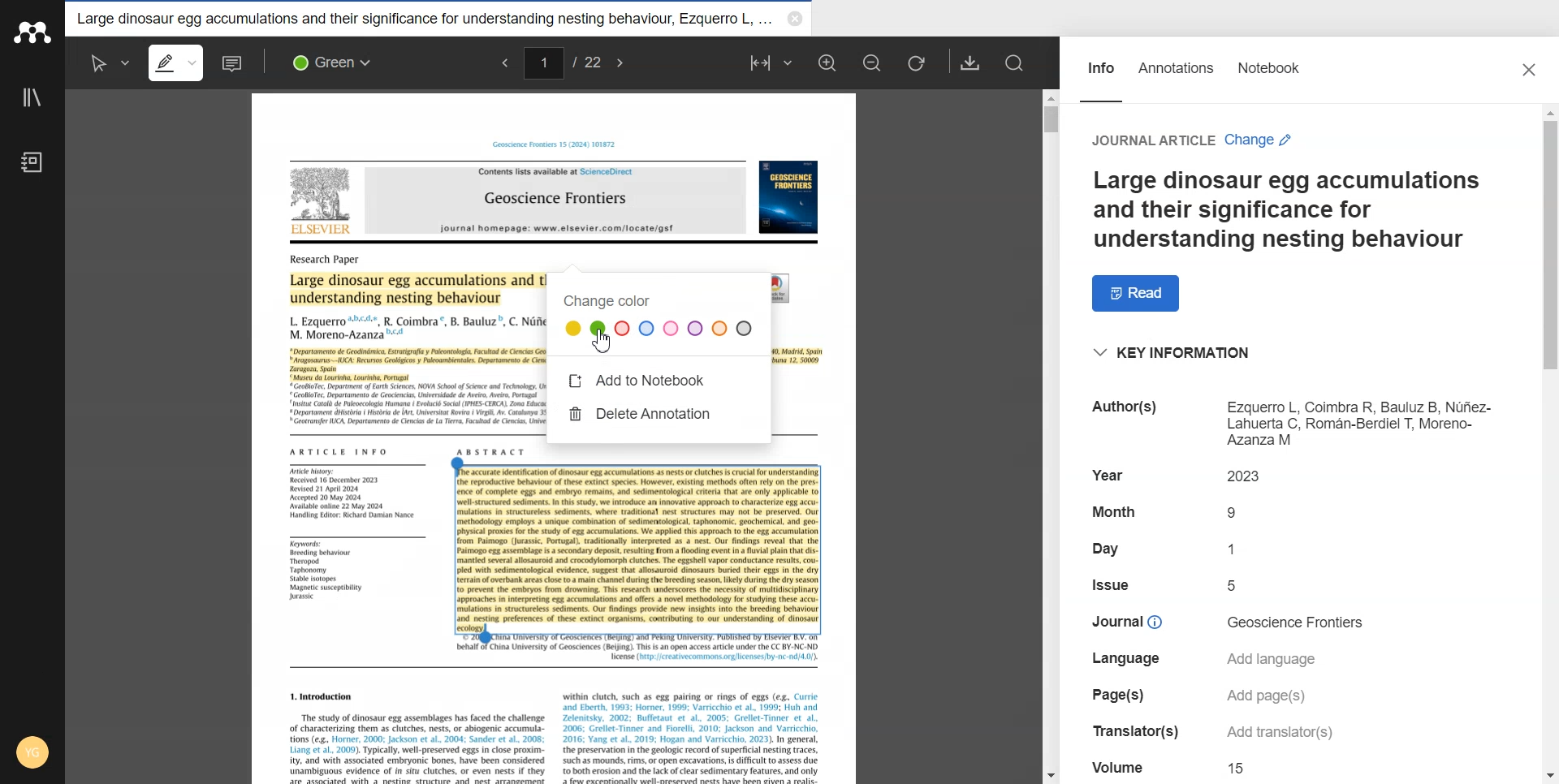 Image resolution: width=1559 pixels, height=784 pixels. I want to click on Colors, so click(337, 62).